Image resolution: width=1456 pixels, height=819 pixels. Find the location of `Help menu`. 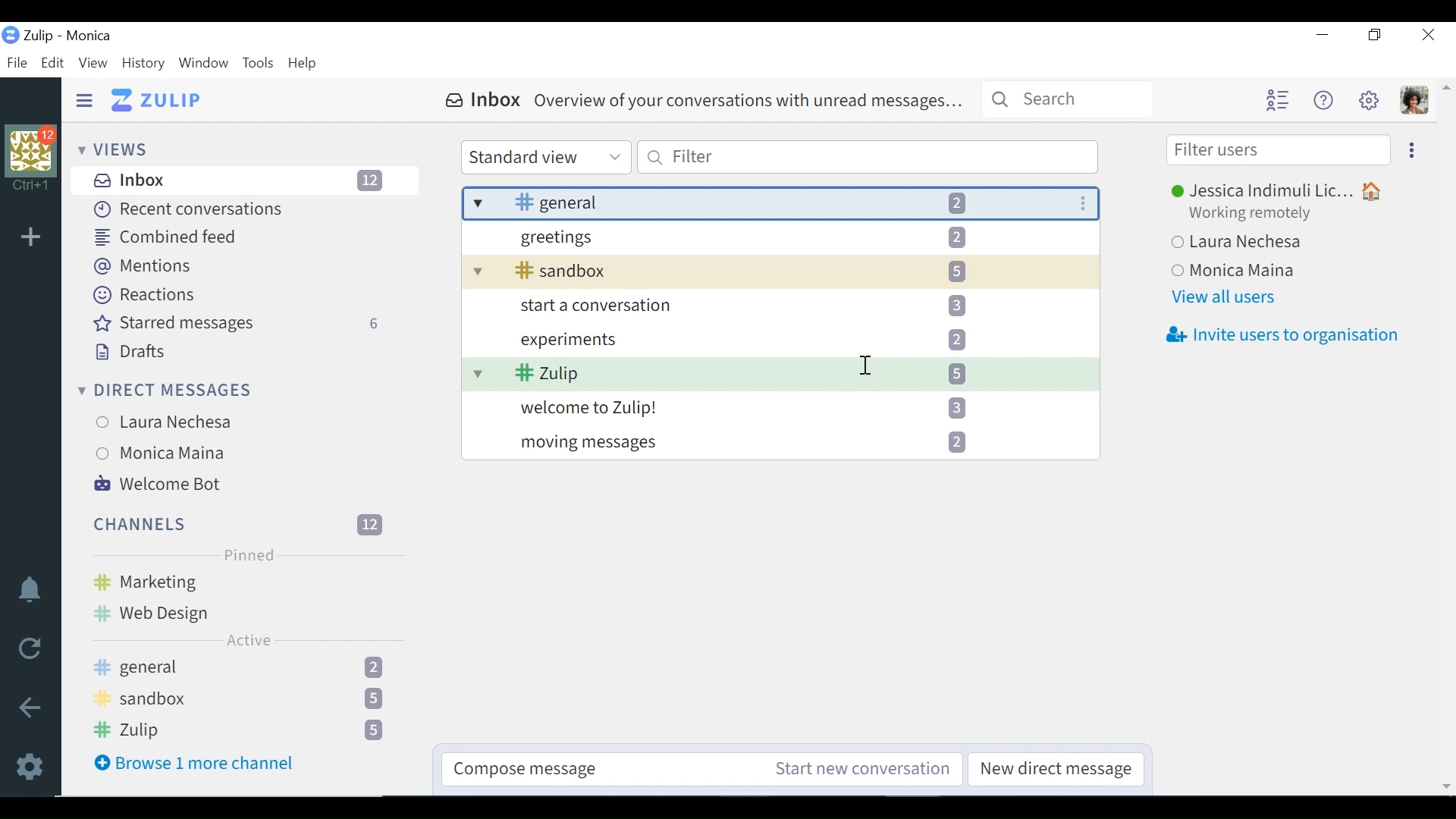

Help menu is located at coordinates (1323, 100).